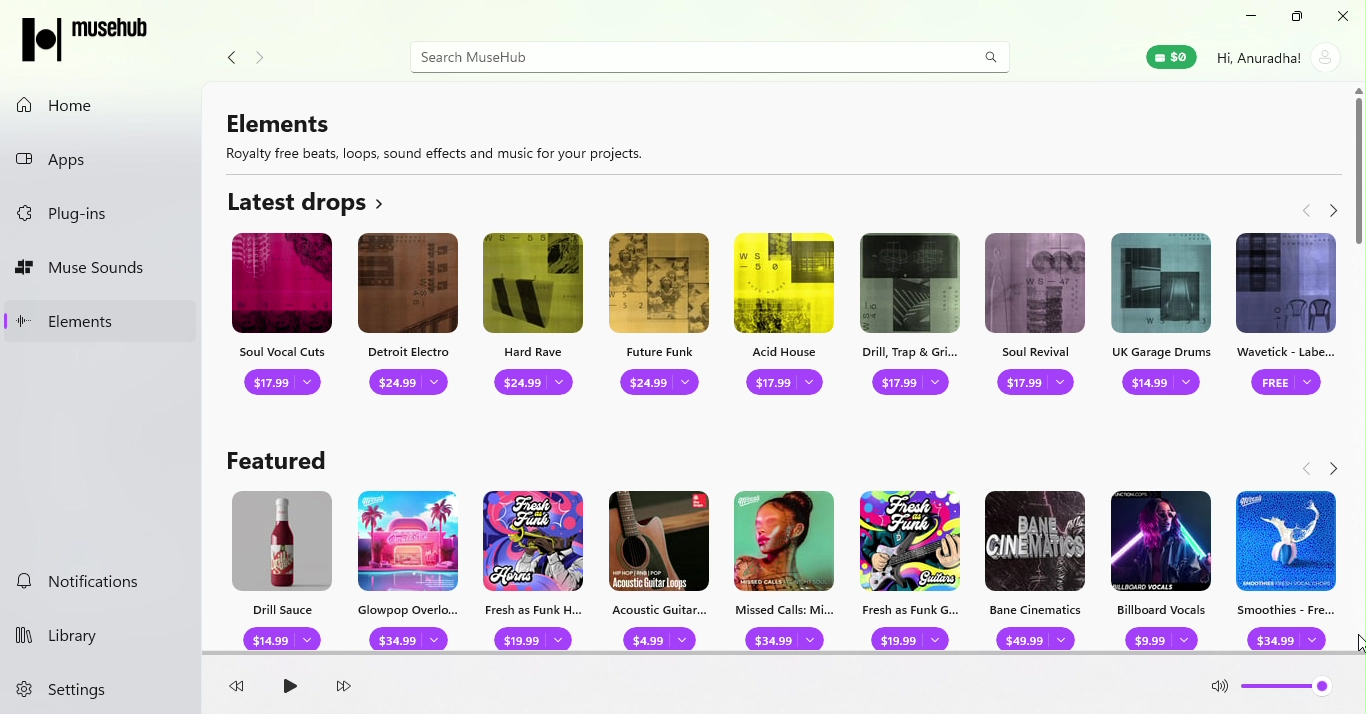 The height and width of the screenshot is (714, 1366). I want to click on play, so click(288, 688).